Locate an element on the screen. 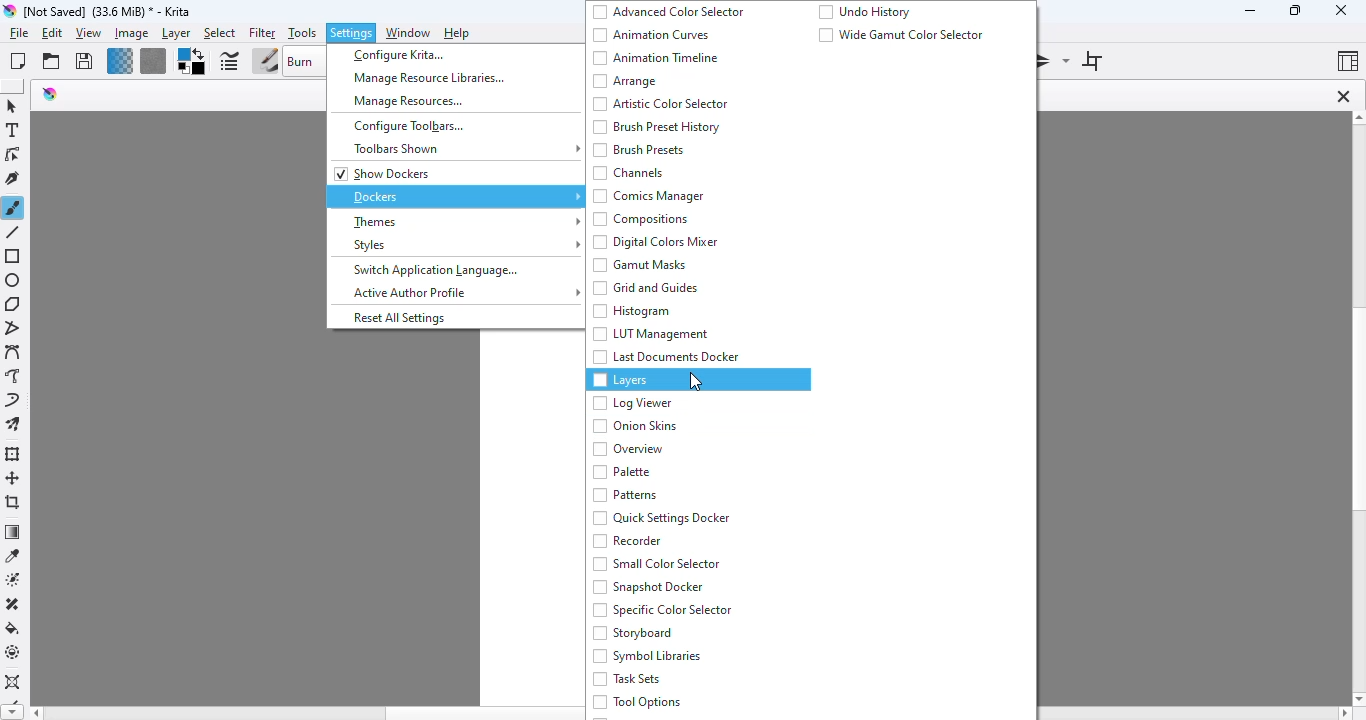  title is located at coordinates (108, 11).